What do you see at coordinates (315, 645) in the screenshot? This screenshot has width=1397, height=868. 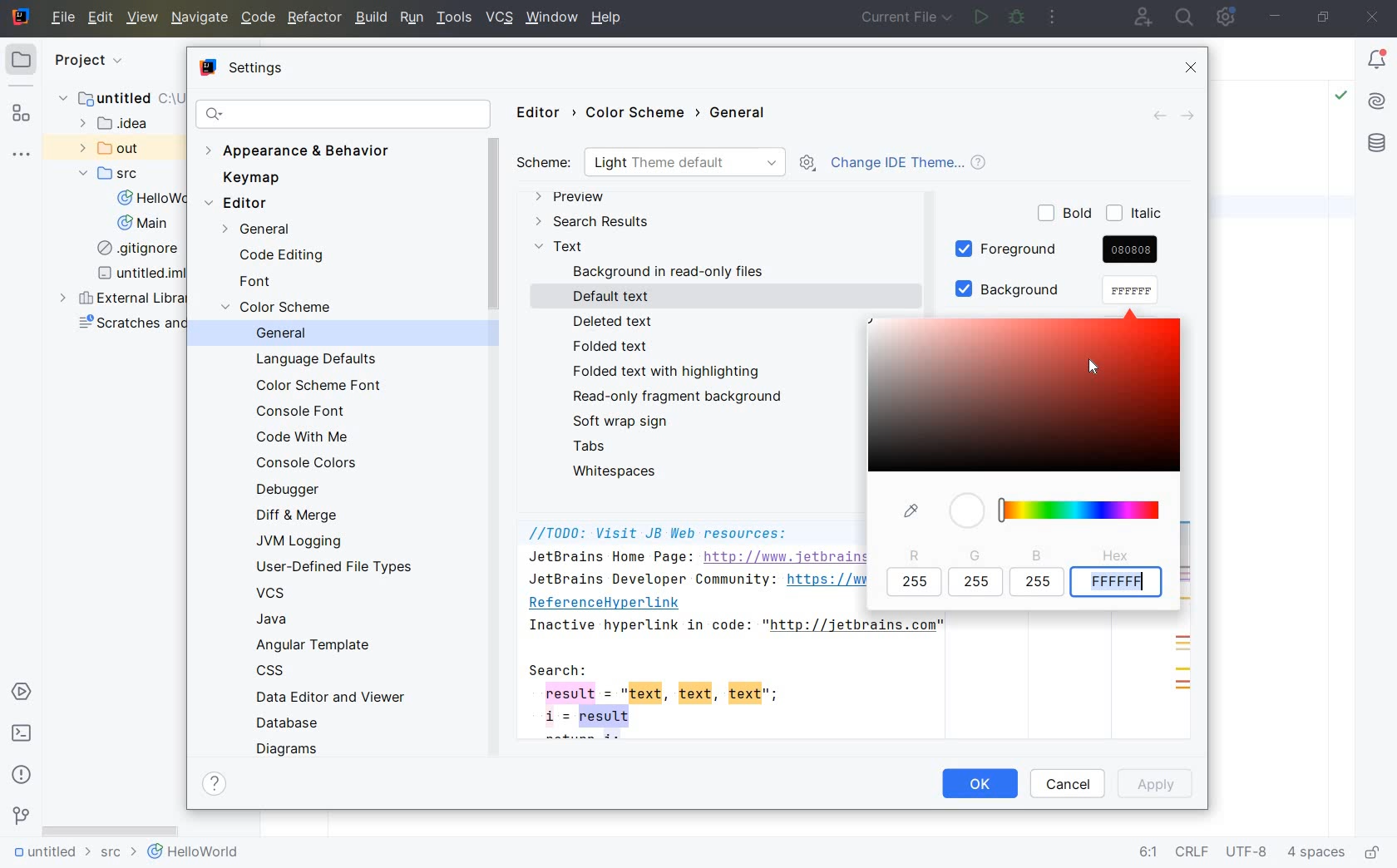 I see `ANGULAR TEMPLATE` at bounding box center [315, 645].